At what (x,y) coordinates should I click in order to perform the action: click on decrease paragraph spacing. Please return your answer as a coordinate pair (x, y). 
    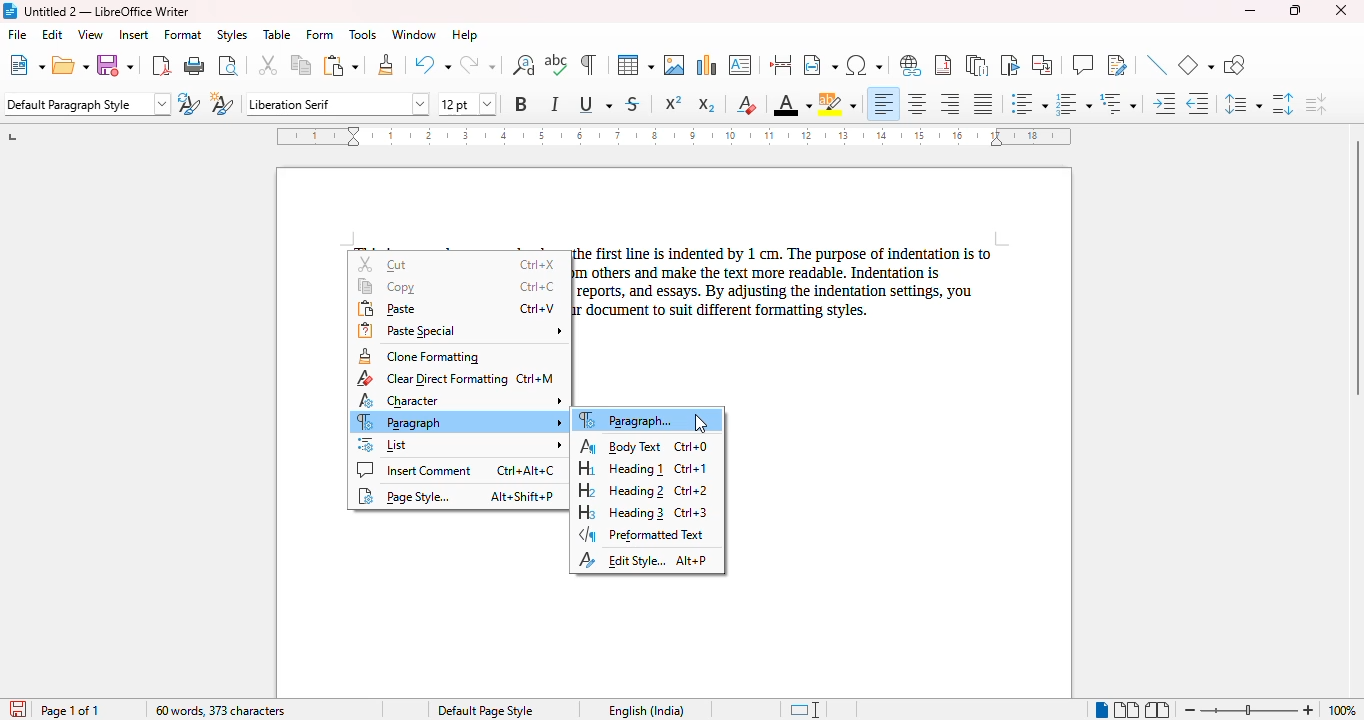
    Looking at the image, I should click on (1315, 103).